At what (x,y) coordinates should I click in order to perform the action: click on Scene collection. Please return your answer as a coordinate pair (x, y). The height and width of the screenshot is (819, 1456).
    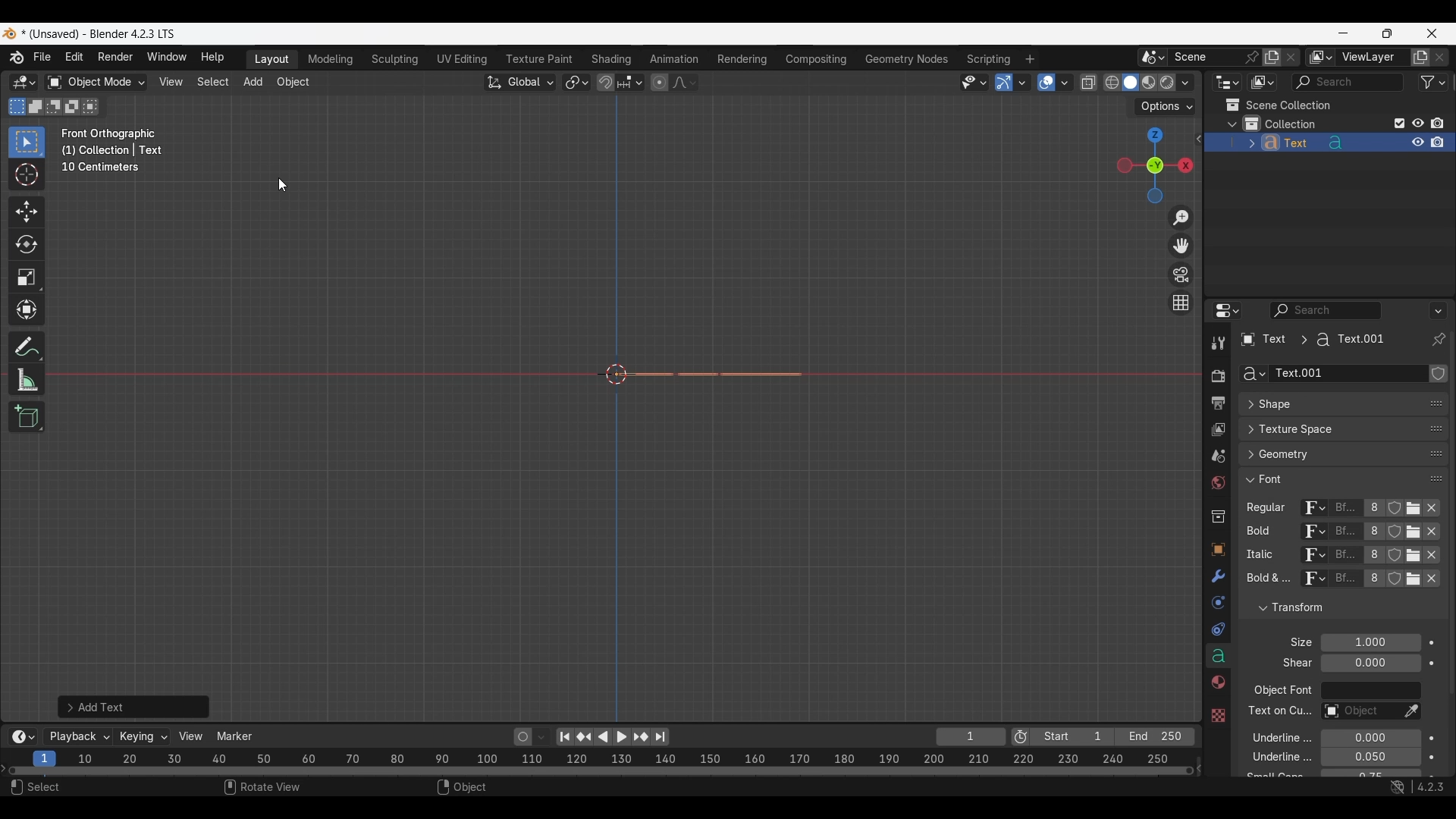
    Looking at the image, I should click on (1278, 105).